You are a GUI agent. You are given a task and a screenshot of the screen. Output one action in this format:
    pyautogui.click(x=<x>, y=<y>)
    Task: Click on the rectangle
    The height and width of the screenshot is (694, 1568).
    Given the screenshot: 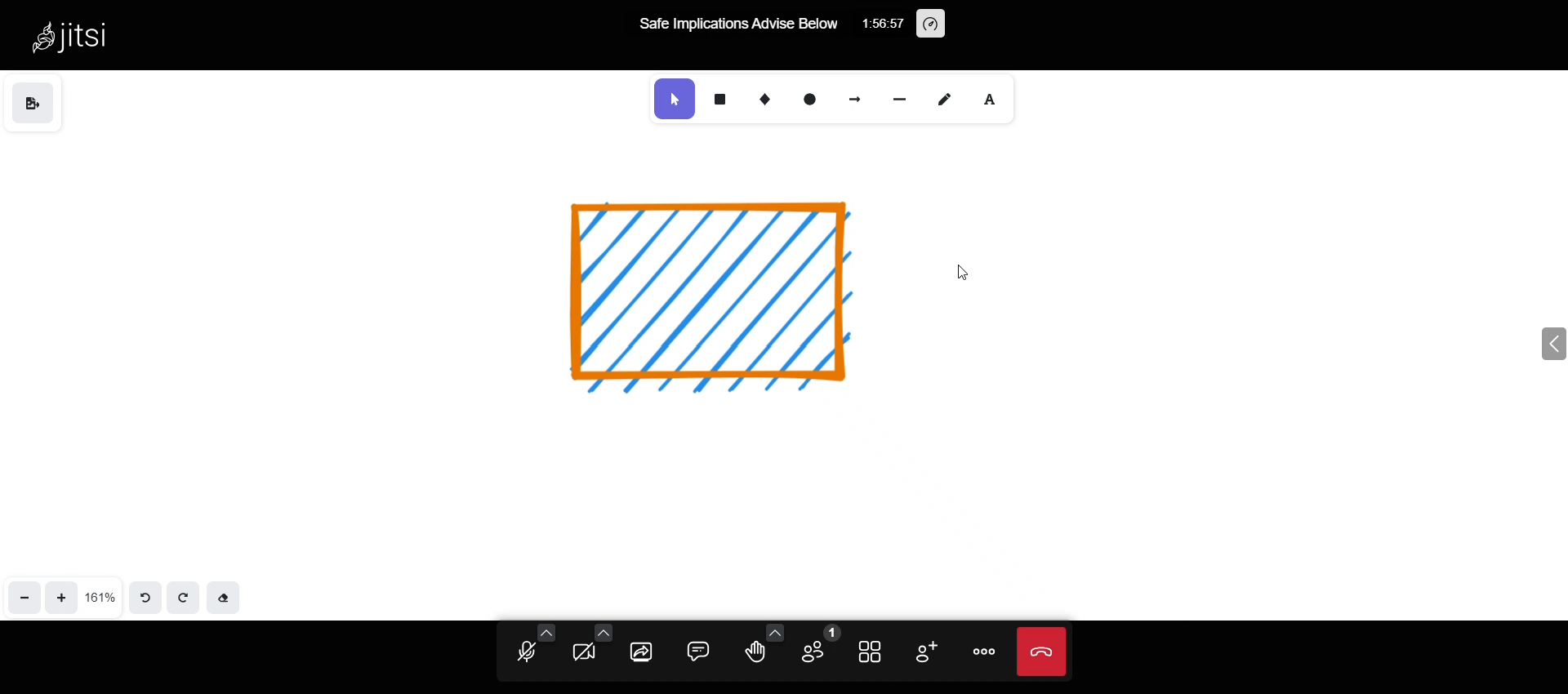 What is the action you would take?
    pyautogui.click(x=719, y=98)
    